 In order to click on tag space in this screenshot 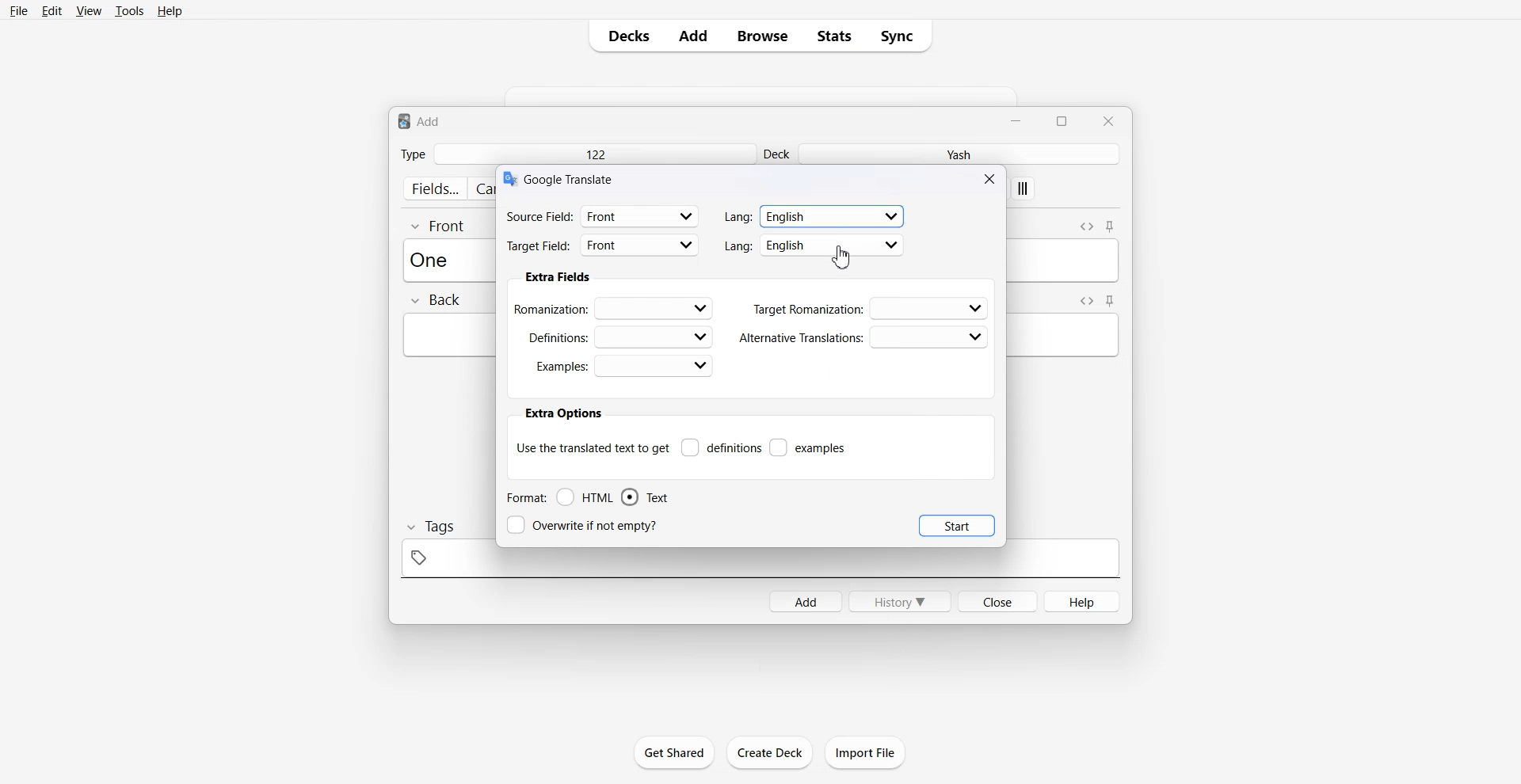, I will do `click(760, 563)`.